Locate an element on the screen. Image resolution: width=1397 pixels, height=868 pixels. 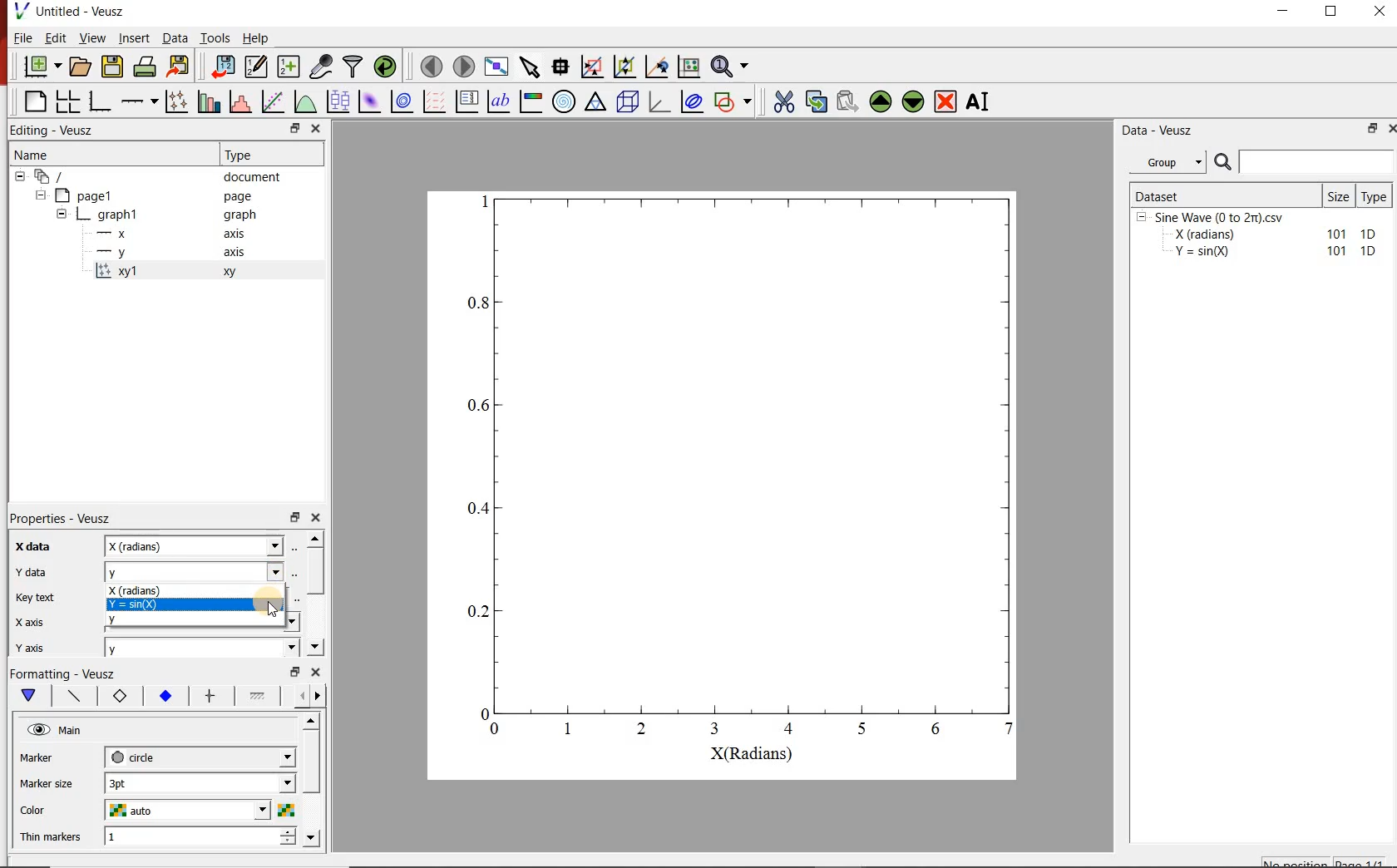
plot covariance ellipses is located at coordinates (691, 101).